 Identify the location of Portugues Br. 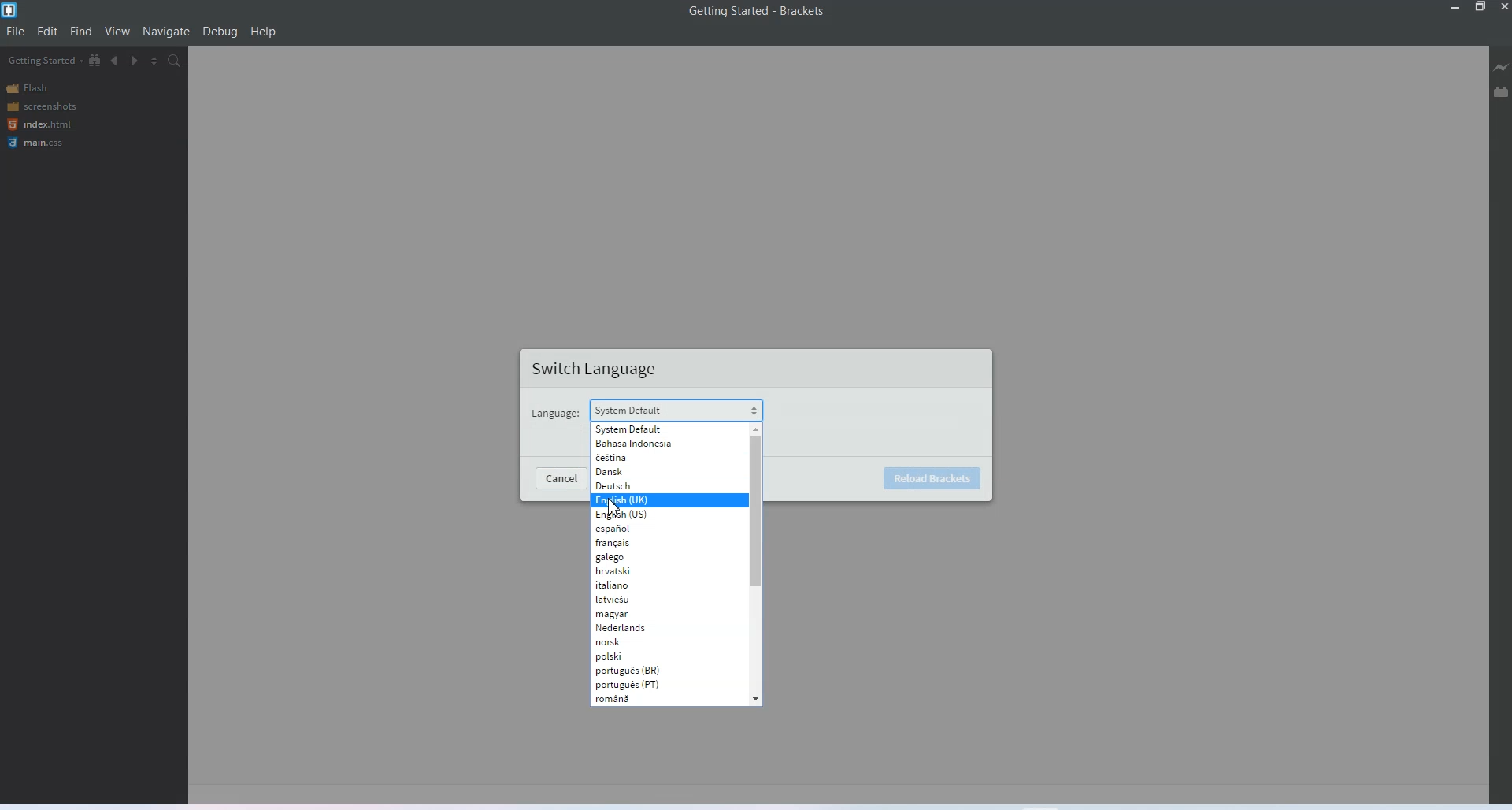
(634, 670).